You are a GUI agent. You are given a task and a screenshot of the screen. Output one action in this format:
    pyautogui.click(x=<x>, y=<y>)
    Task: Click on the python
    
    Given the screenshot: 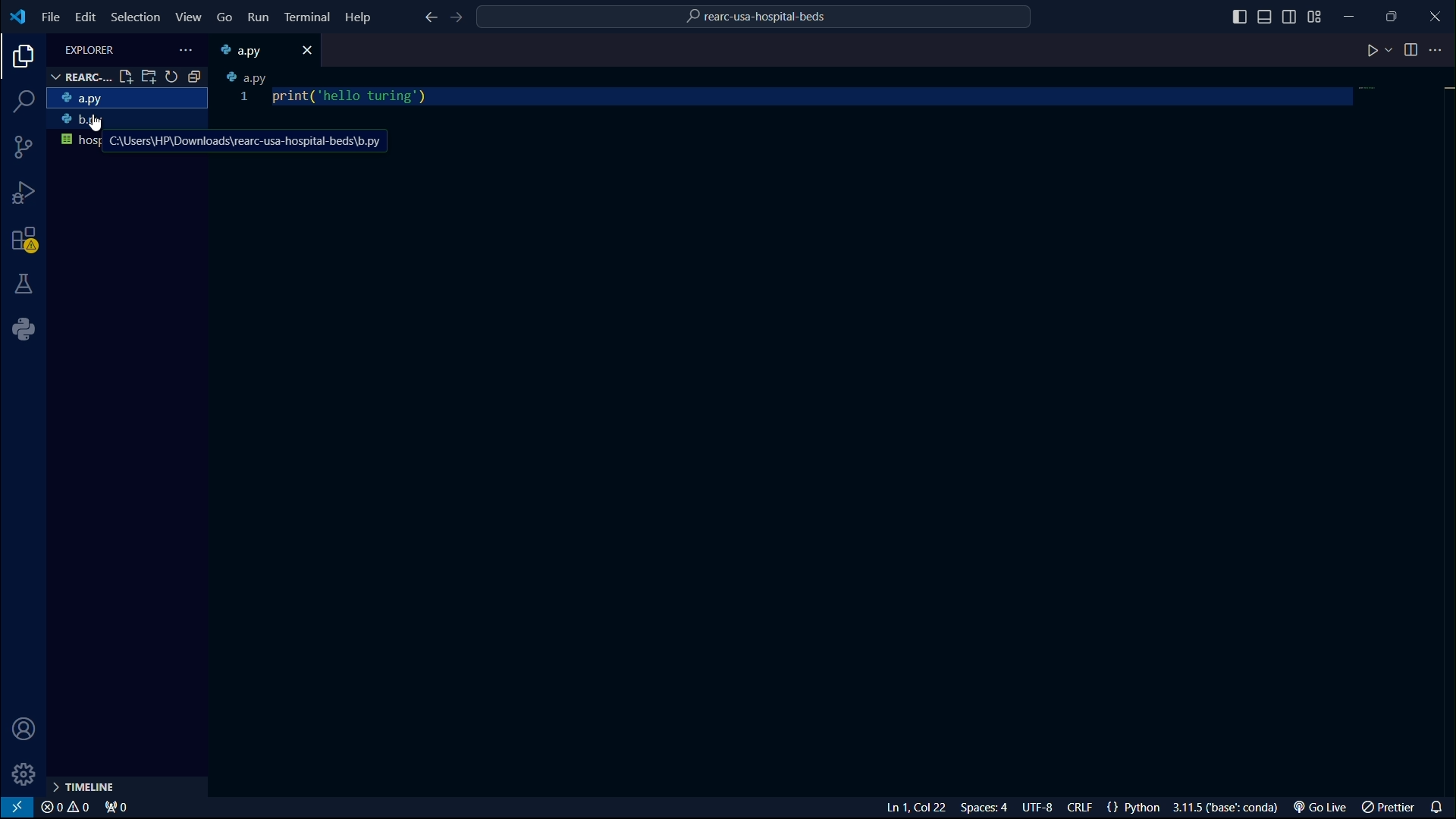 What is the action you would take?
    pyautogui.click(x=24, y=331)
    